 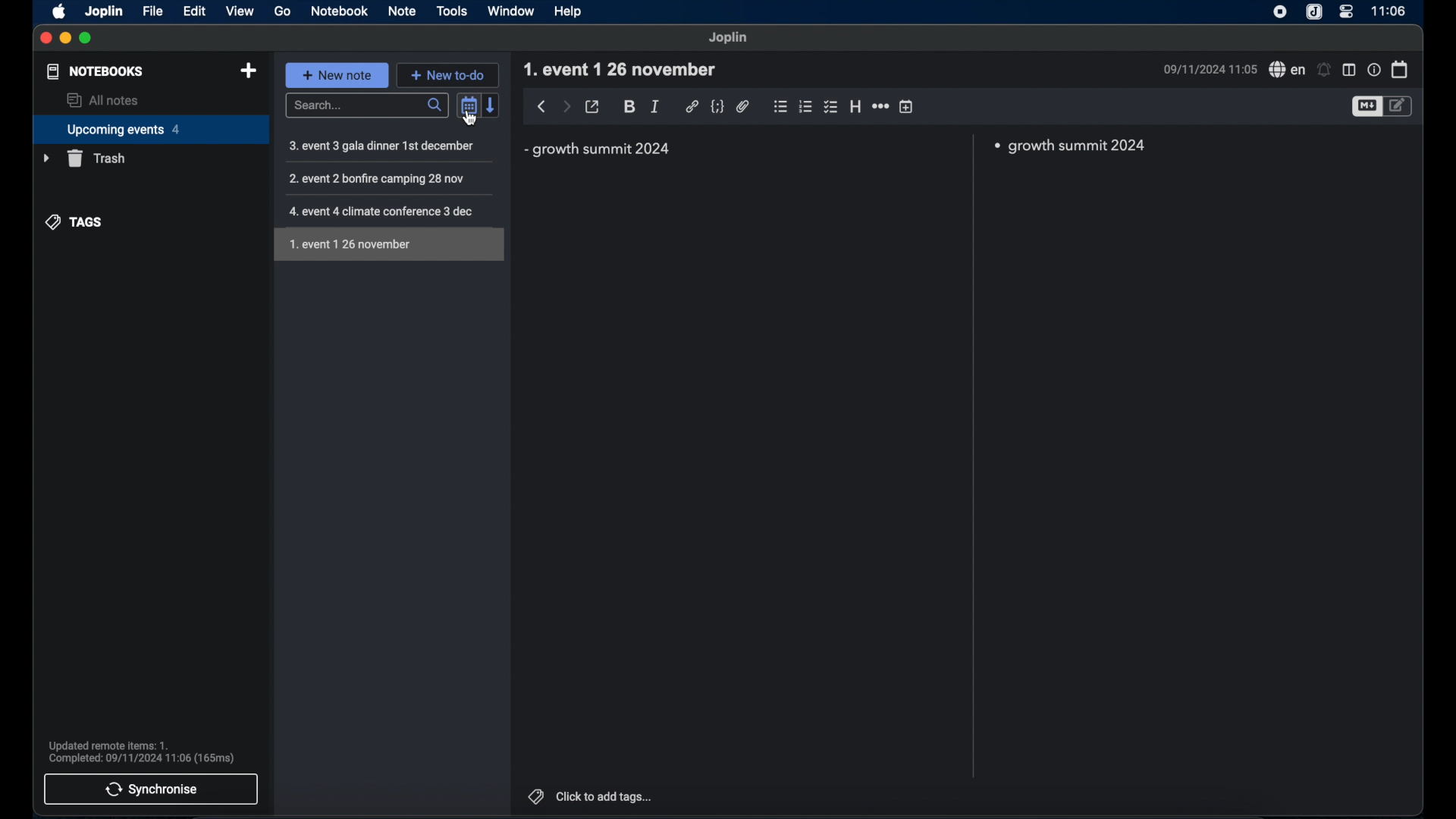 What do you see at coordinates (385, 245) in the screenshot?
I see `1. event 1 26 november` at bounding box center [385, 245].